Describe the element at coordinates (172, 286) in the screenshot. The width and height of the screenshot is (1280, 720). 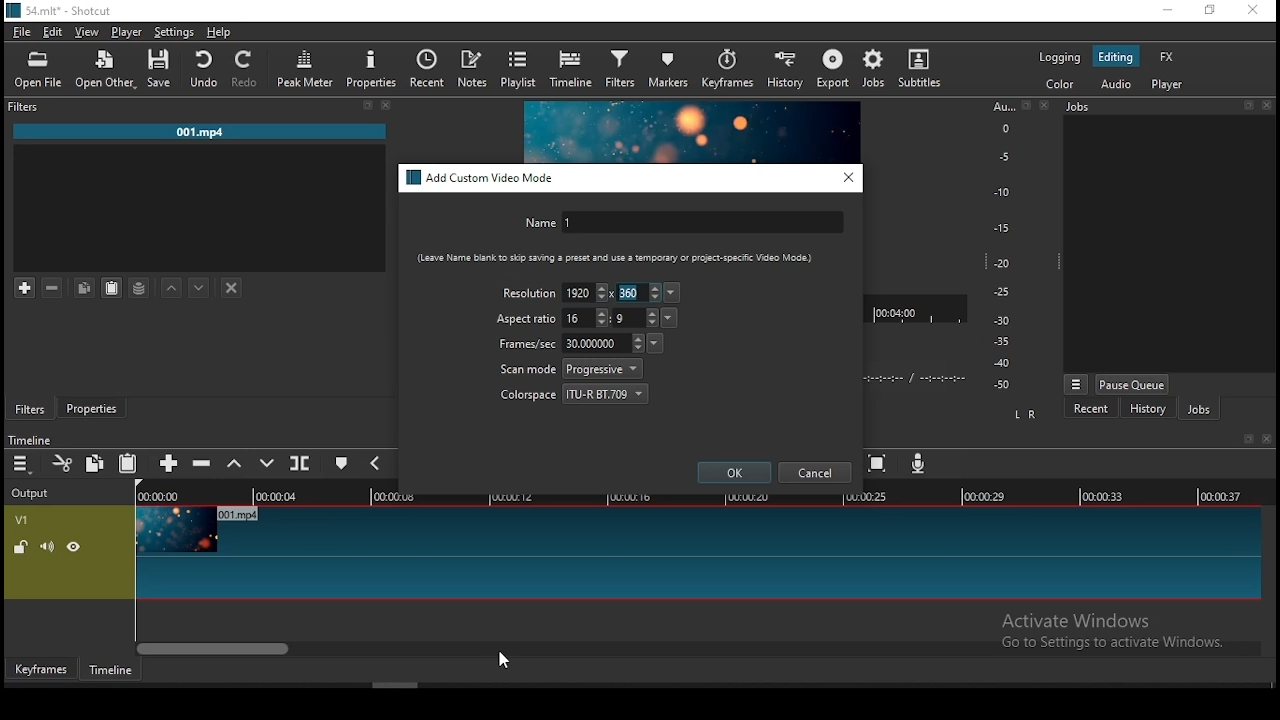
I see `move filter up` at that location.